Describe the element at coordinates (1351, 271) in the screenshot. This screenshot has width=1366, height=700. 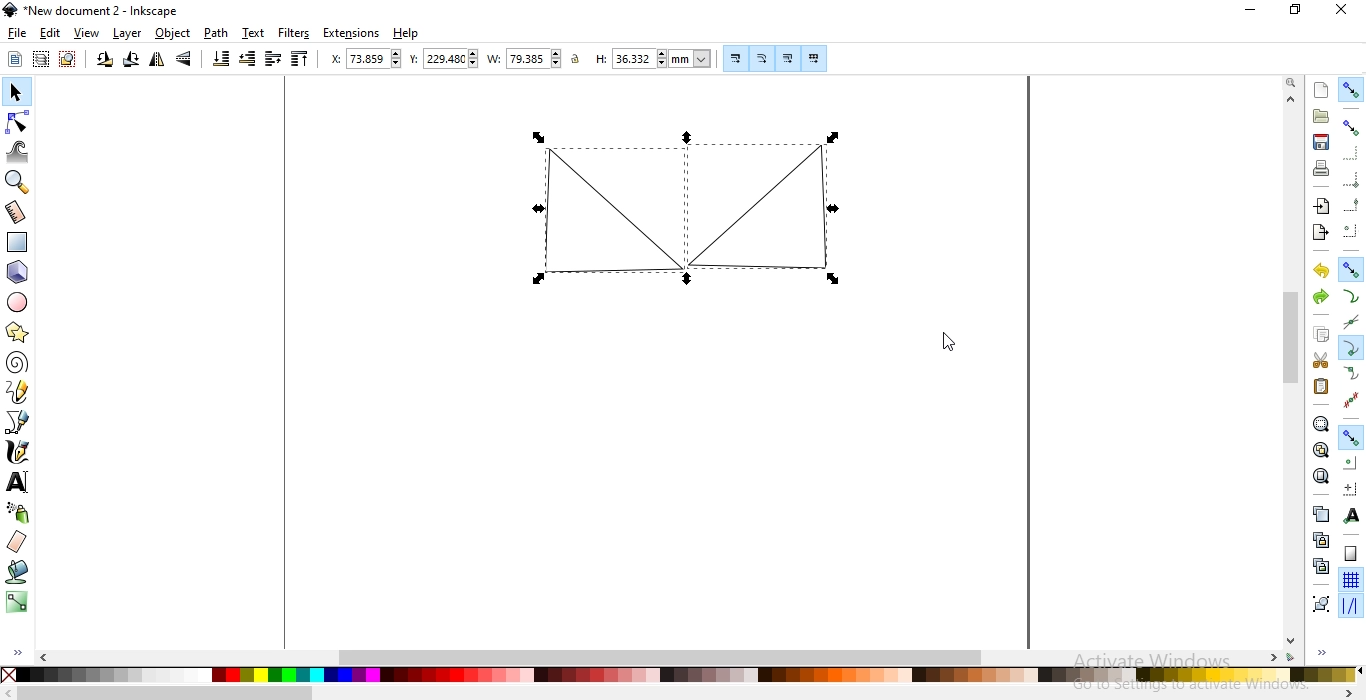
I see `snap nodes, paths and handles` at that location.